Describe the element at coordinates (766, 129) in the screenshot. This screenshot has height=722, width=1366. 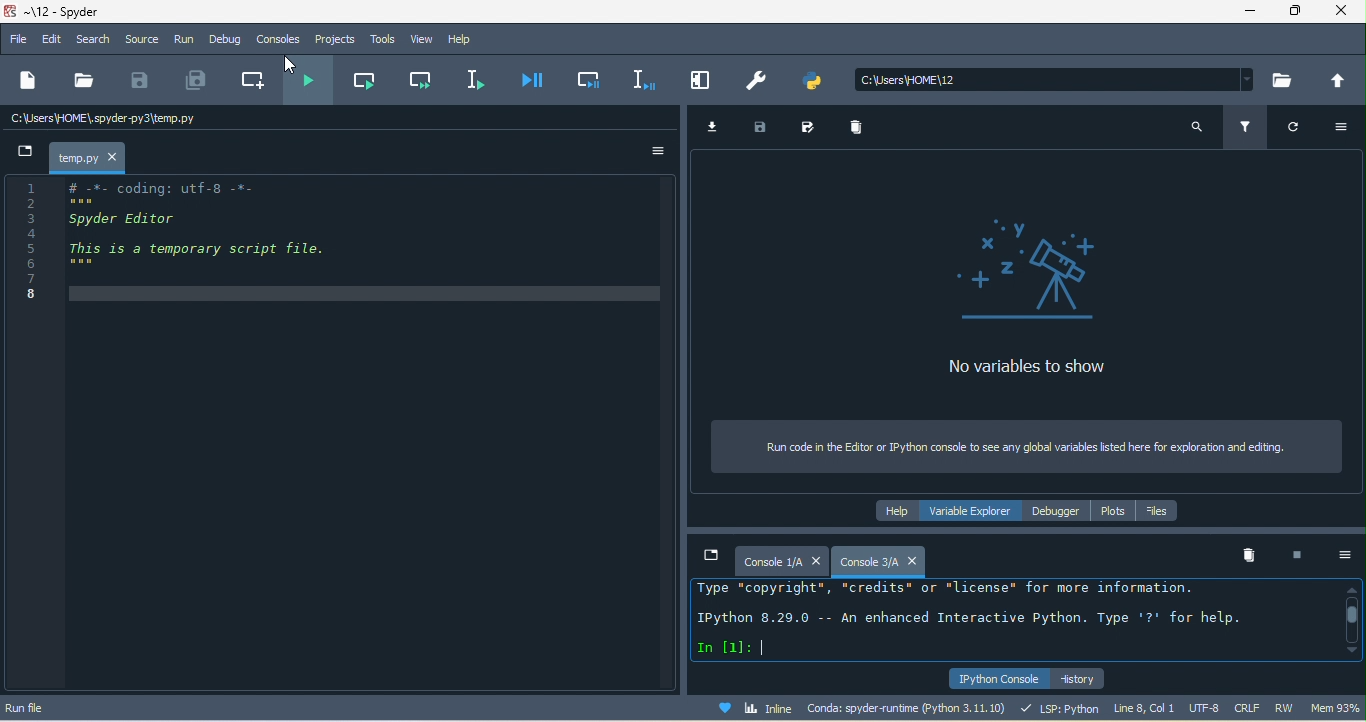
I see `save data` at that location.